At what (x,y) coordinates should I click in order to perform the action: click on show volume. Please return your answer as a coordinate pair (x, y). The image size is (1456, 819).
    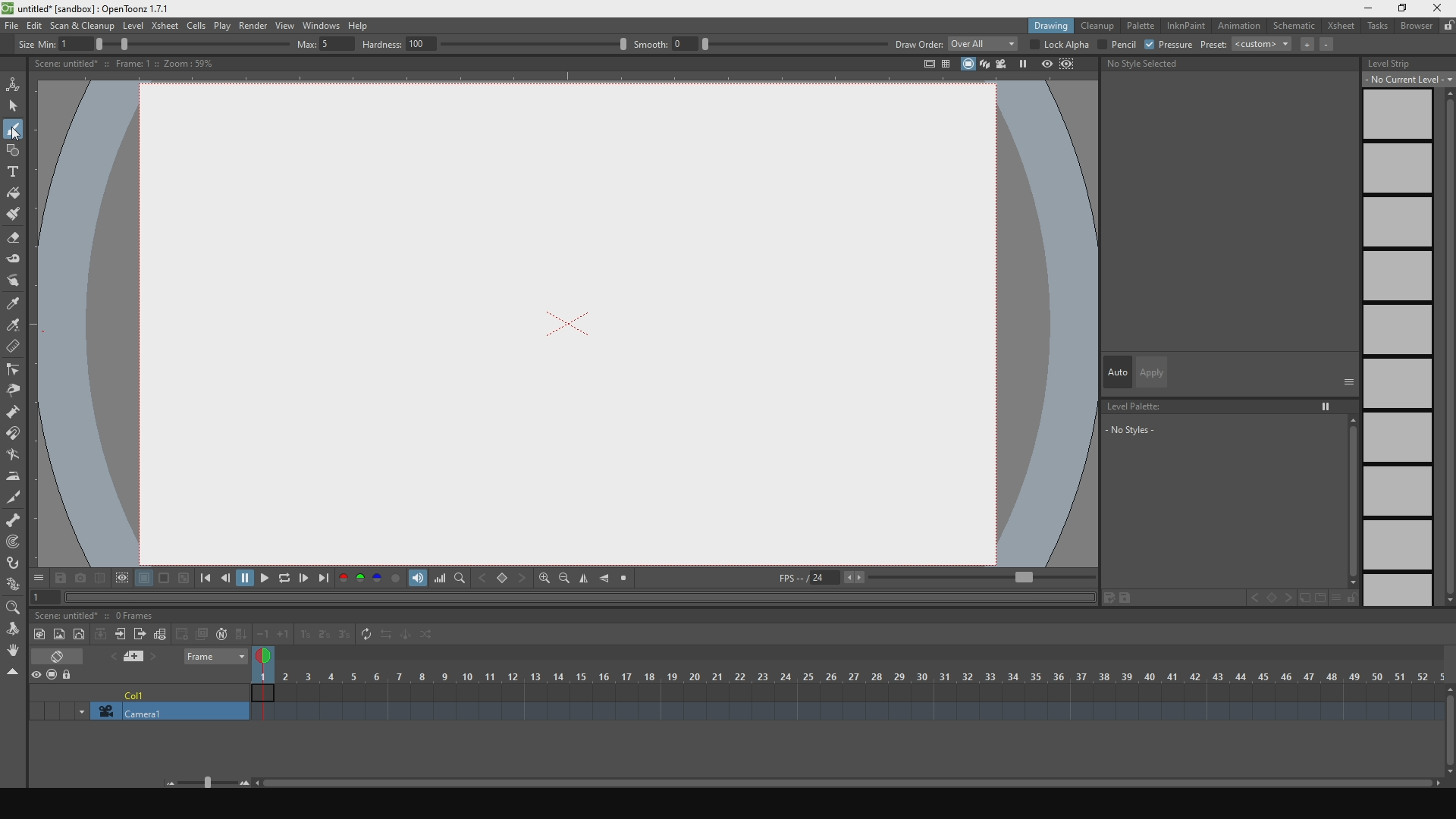
    Looking at the image, I should click on (417, 579).